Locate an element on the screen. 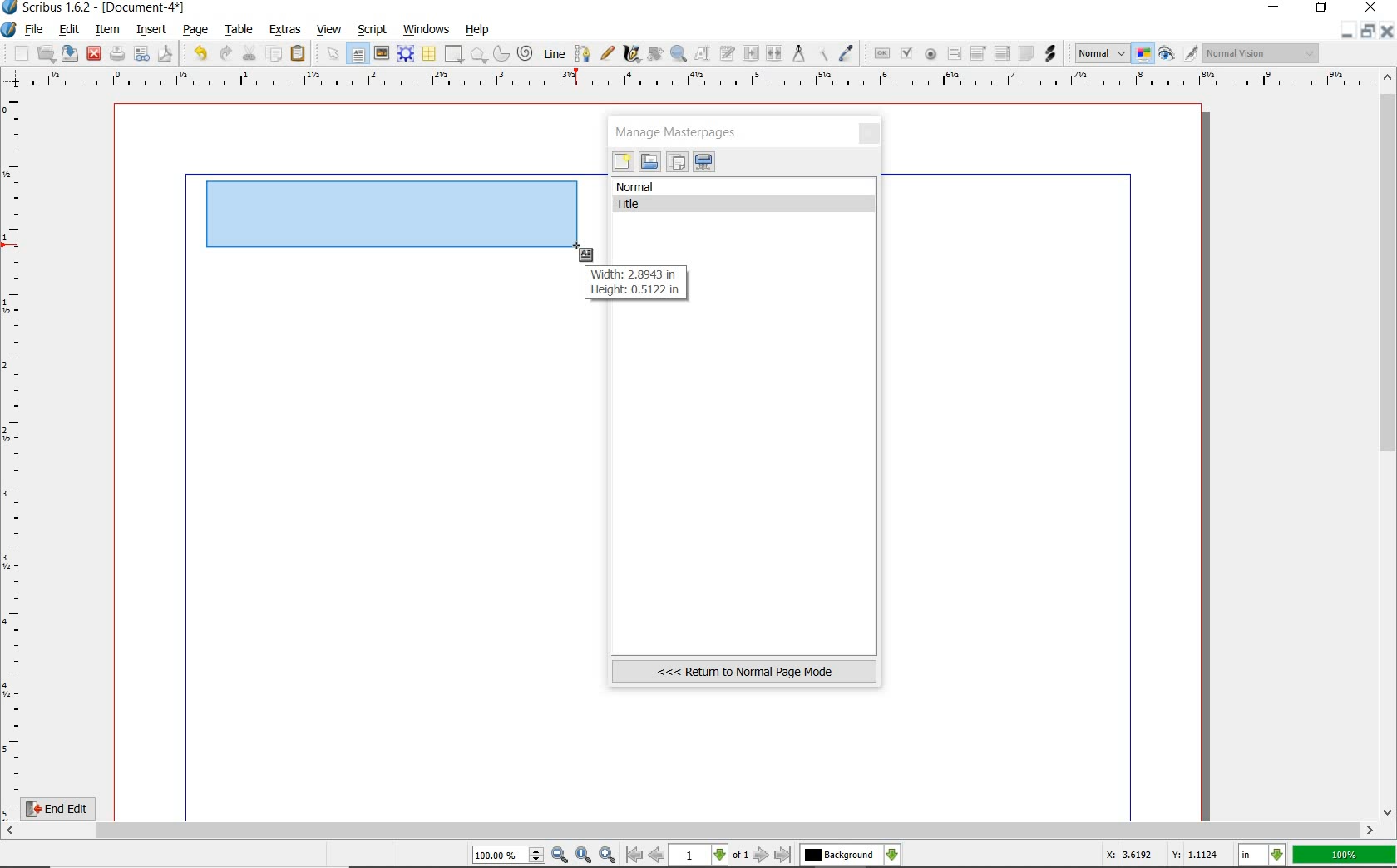  pdf text field is located at coordinates (954, 54).